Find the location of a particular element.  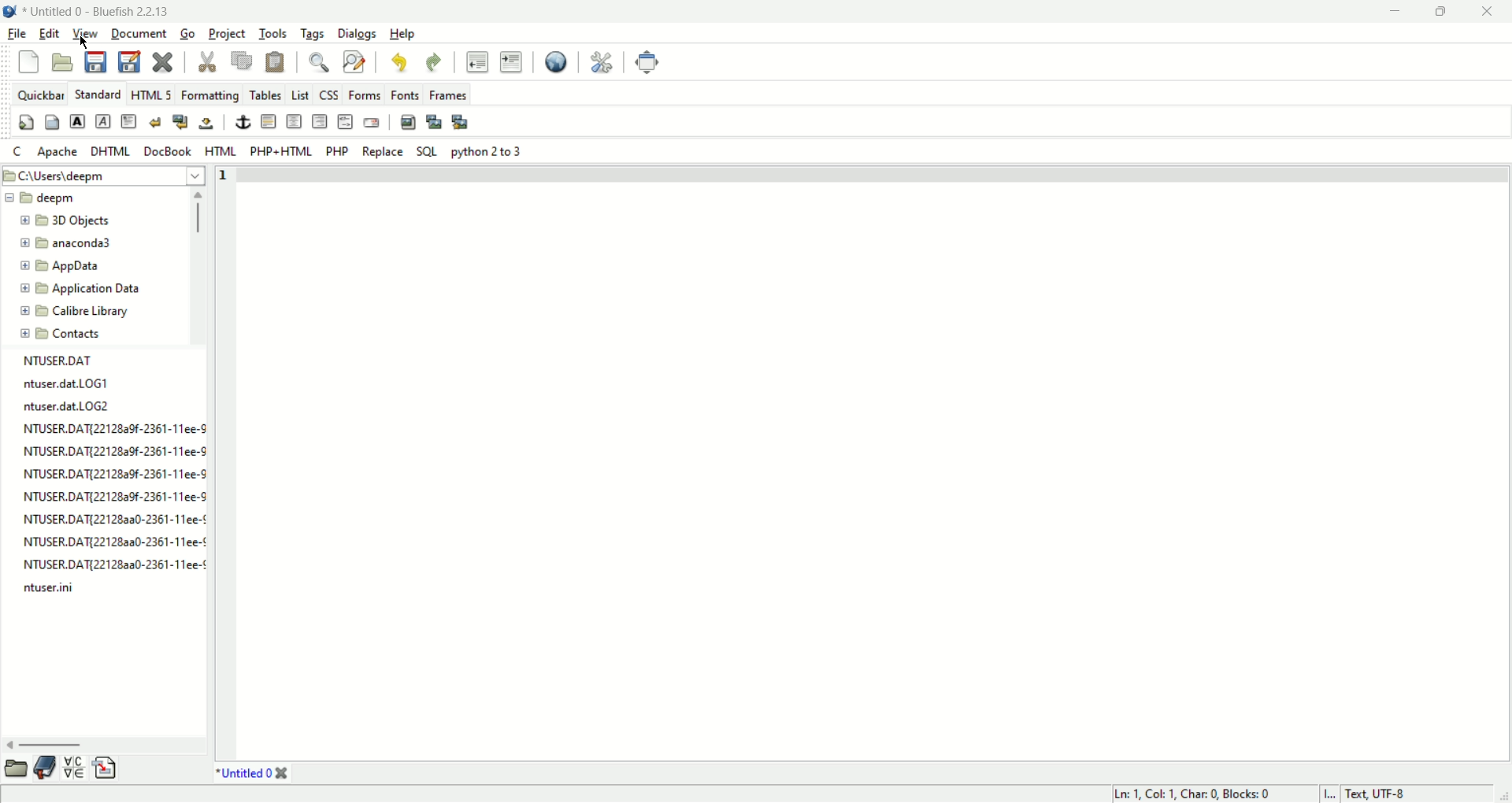

Fonts is located at coordinates (405, 94).